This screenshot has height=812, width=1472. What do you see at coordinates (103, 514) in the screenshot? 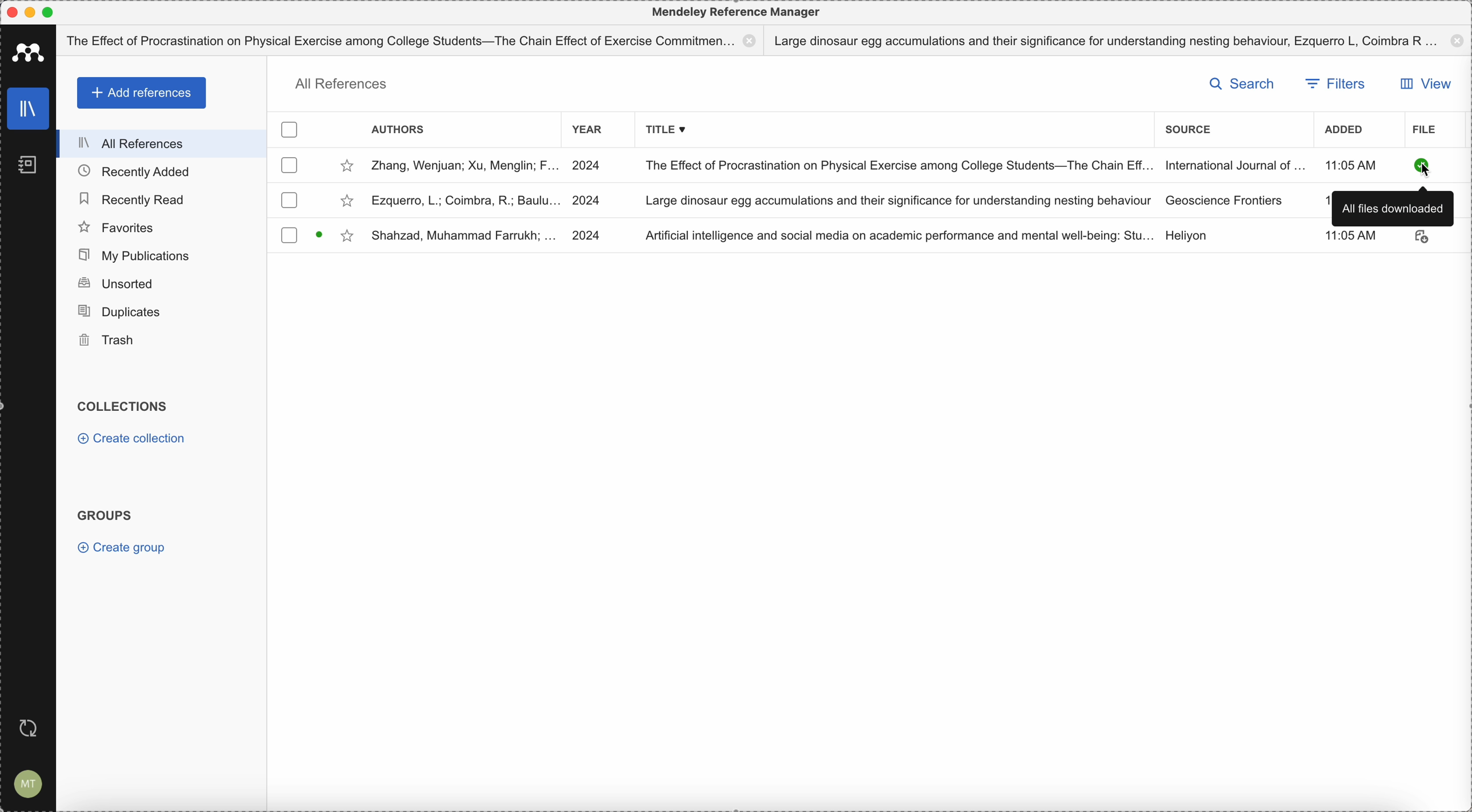
I see `groups` at bounding box center [103, 514].